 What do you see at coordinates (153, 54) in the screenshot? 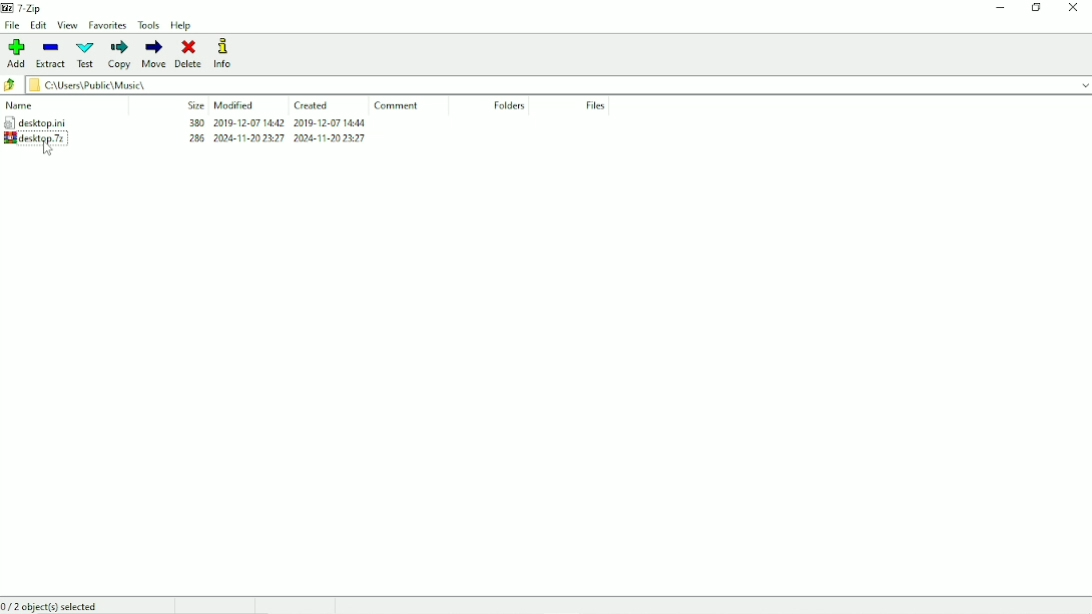
I see `Move` at bounding box center [153, 54].